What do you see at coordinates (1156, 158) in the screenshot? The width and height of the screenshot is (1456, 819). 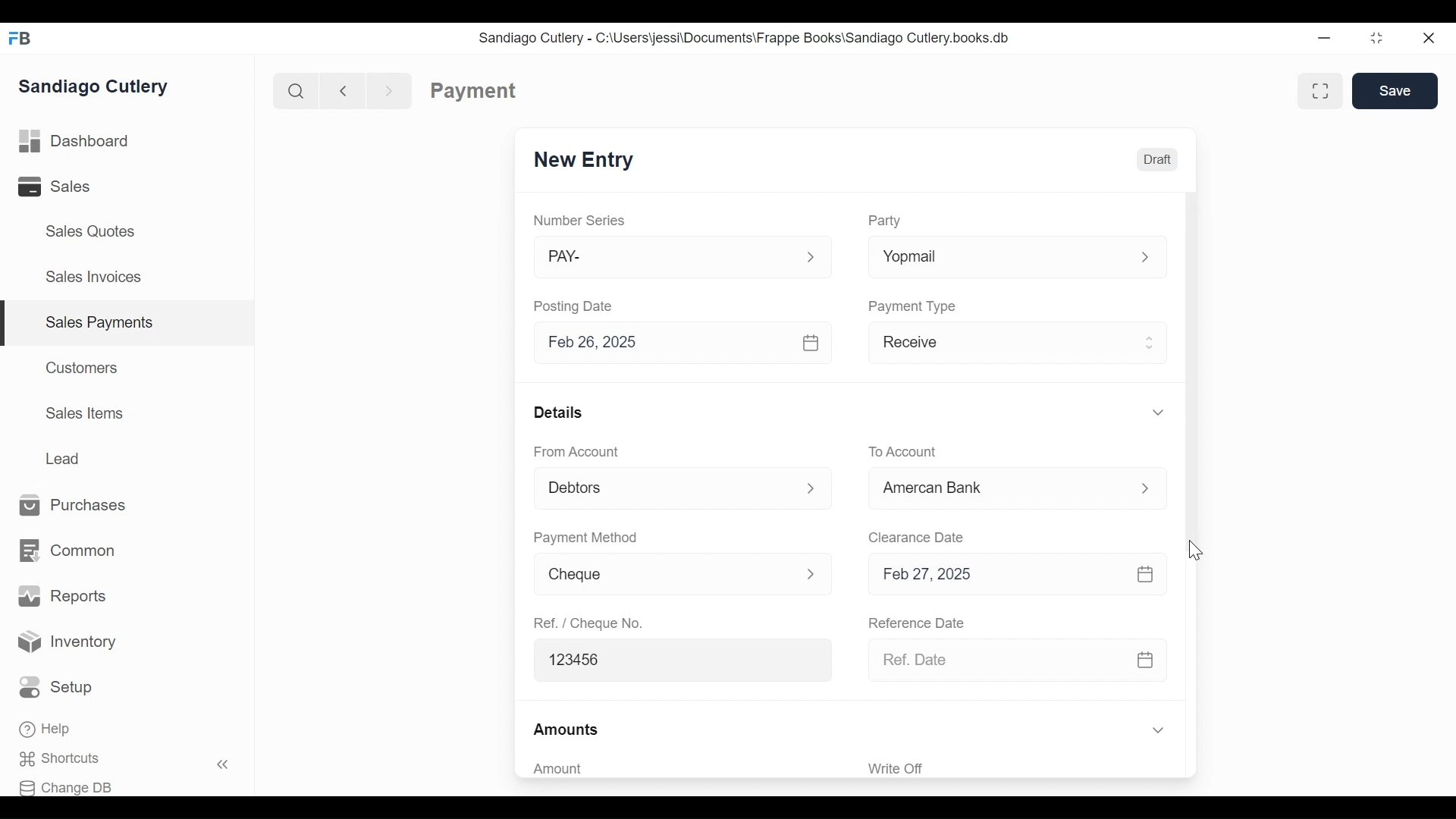 I see `Draft` at bounding box center [1156, 158].